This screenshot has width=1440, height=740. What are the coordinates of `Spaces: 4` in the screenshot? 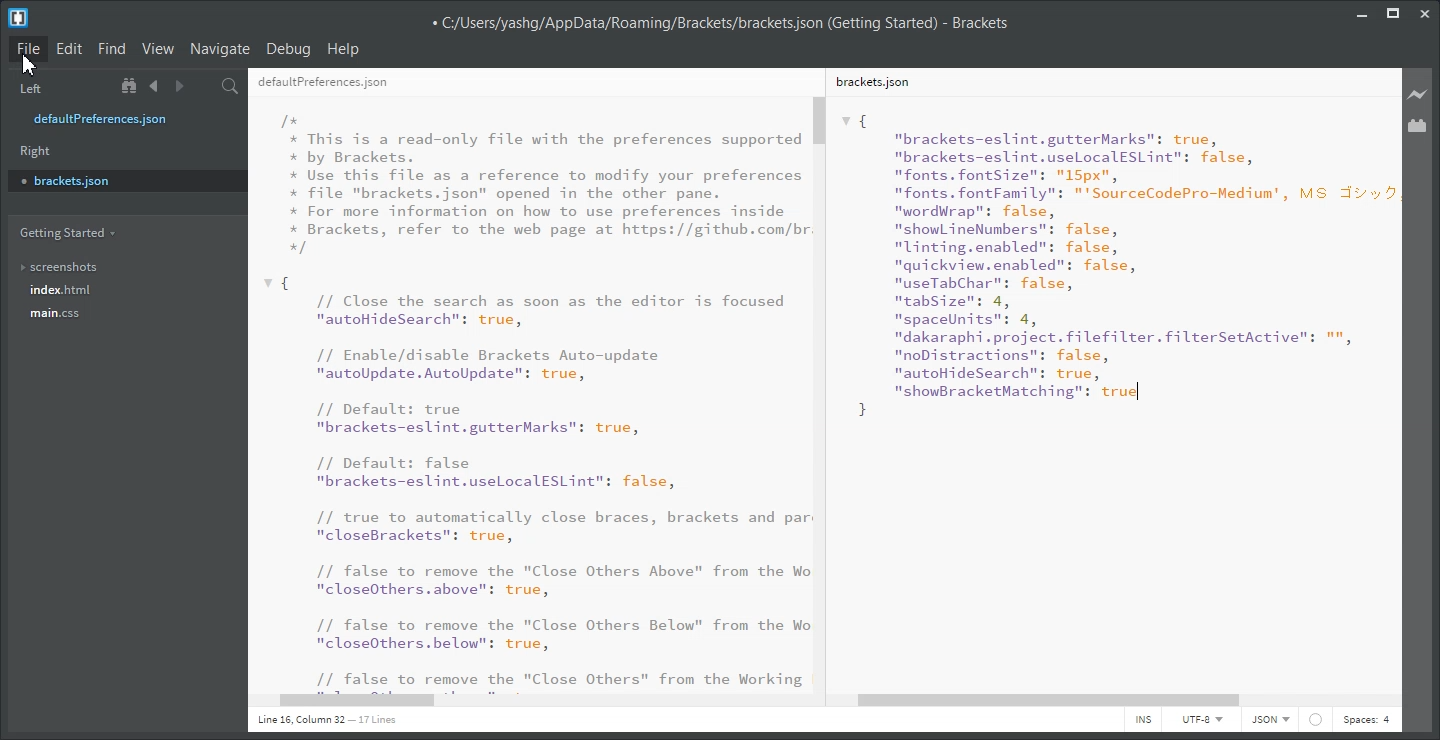 It's located at (1366, 720).